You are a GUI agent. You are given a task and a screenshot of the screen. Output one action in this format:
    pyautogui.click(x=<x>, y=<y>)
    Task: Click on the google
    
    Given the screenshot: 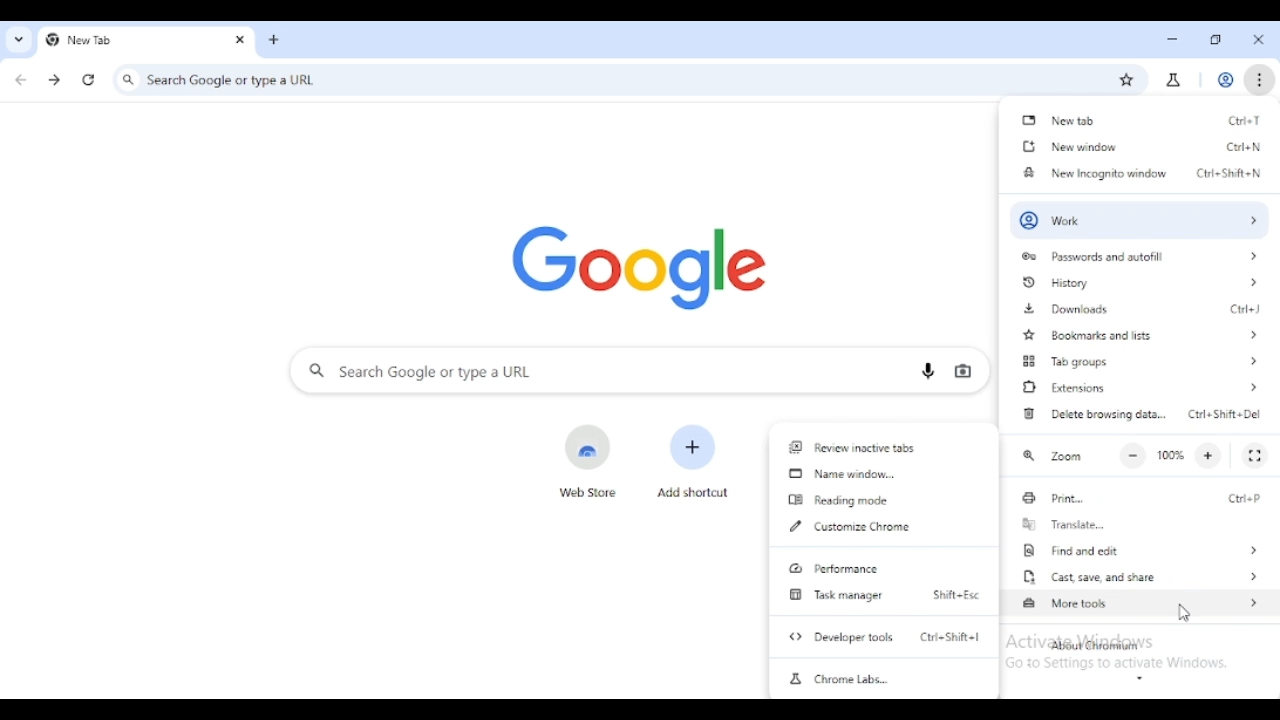 What is the action you would take?
    pyautogui.click(x=638, y=263)
    